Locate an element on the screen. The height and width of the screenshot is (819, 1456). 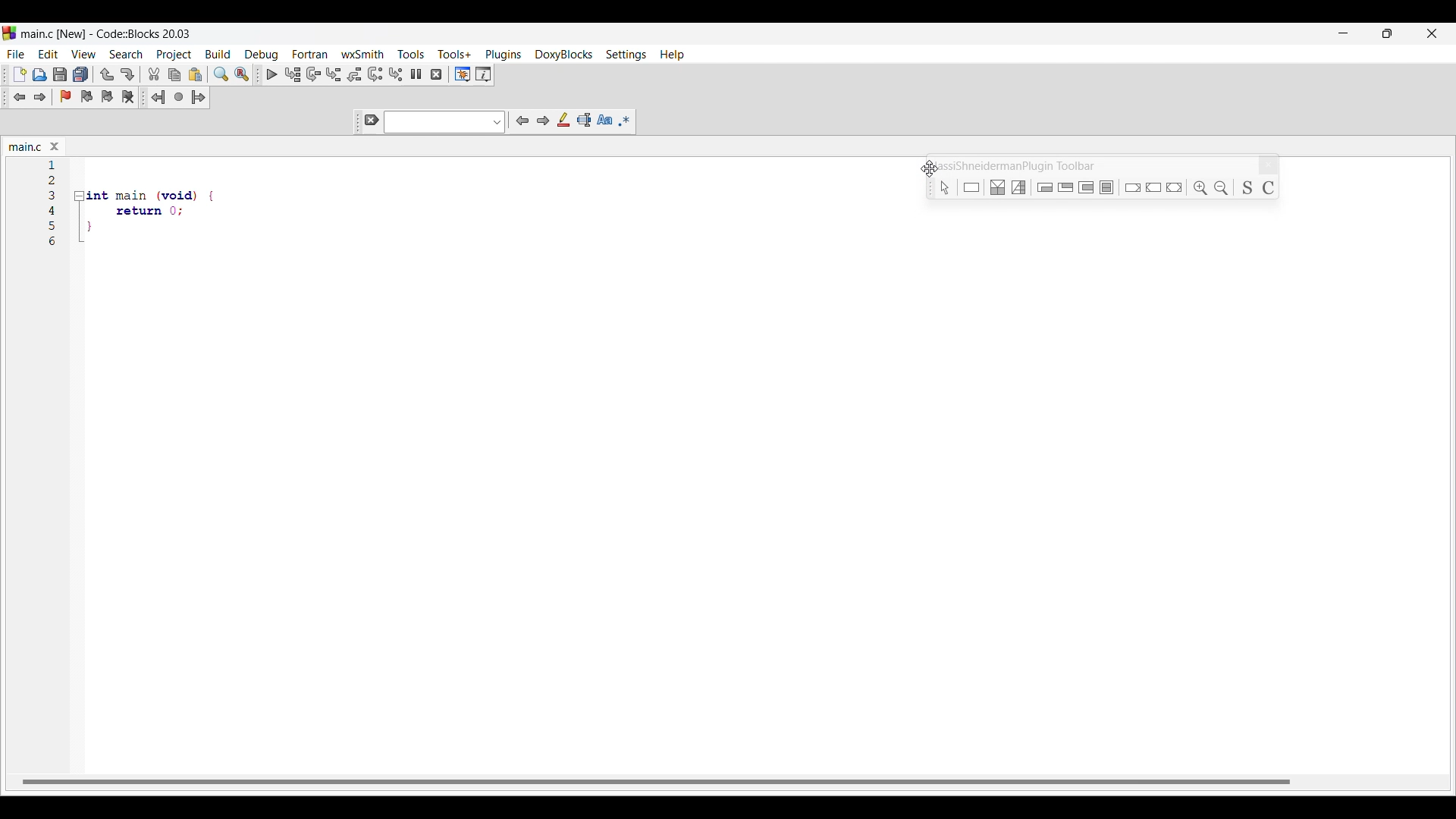
Step into is located at coordinates (334, 74).